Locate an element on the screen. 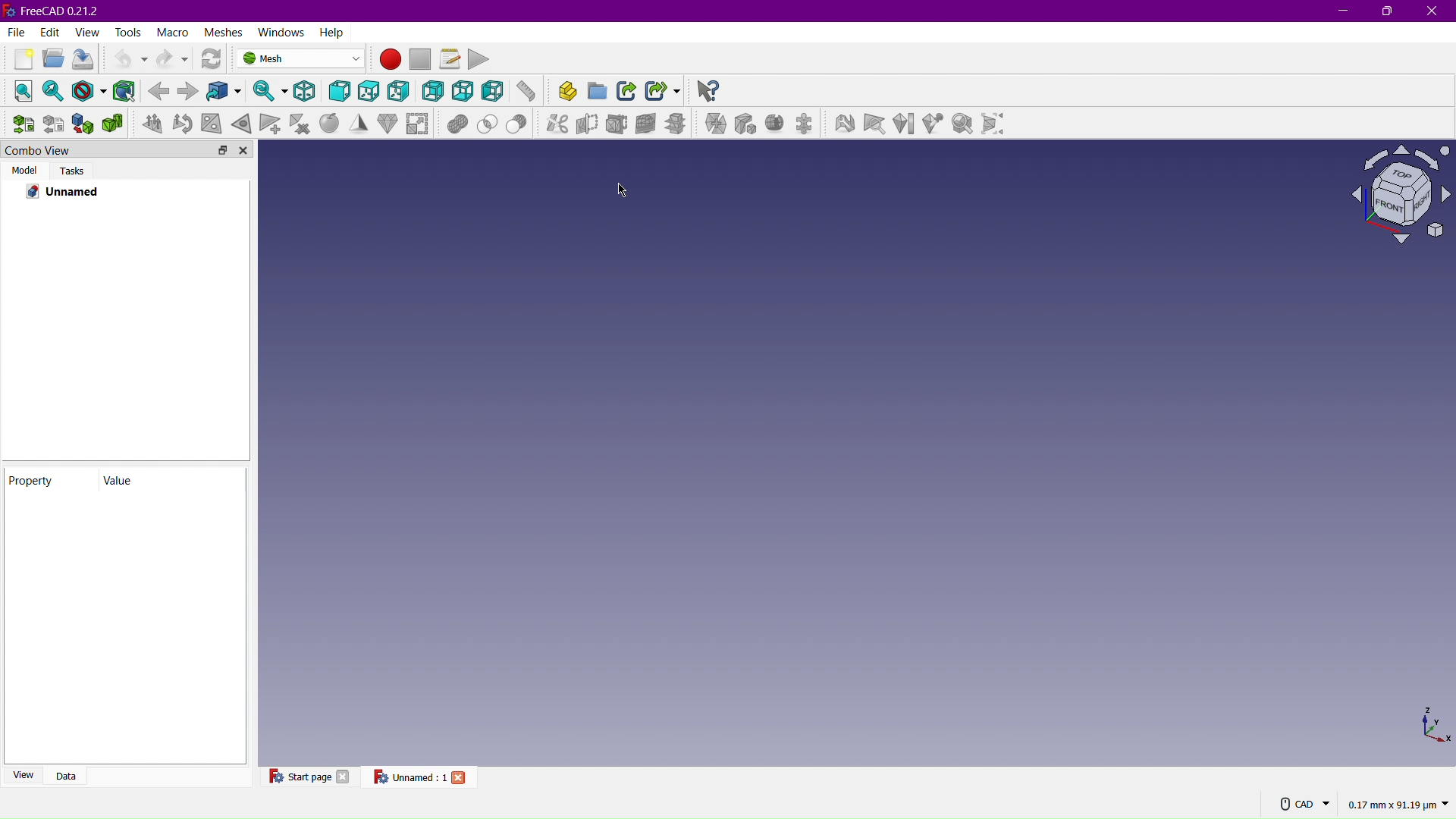  close is located at coordinates (461, 777).